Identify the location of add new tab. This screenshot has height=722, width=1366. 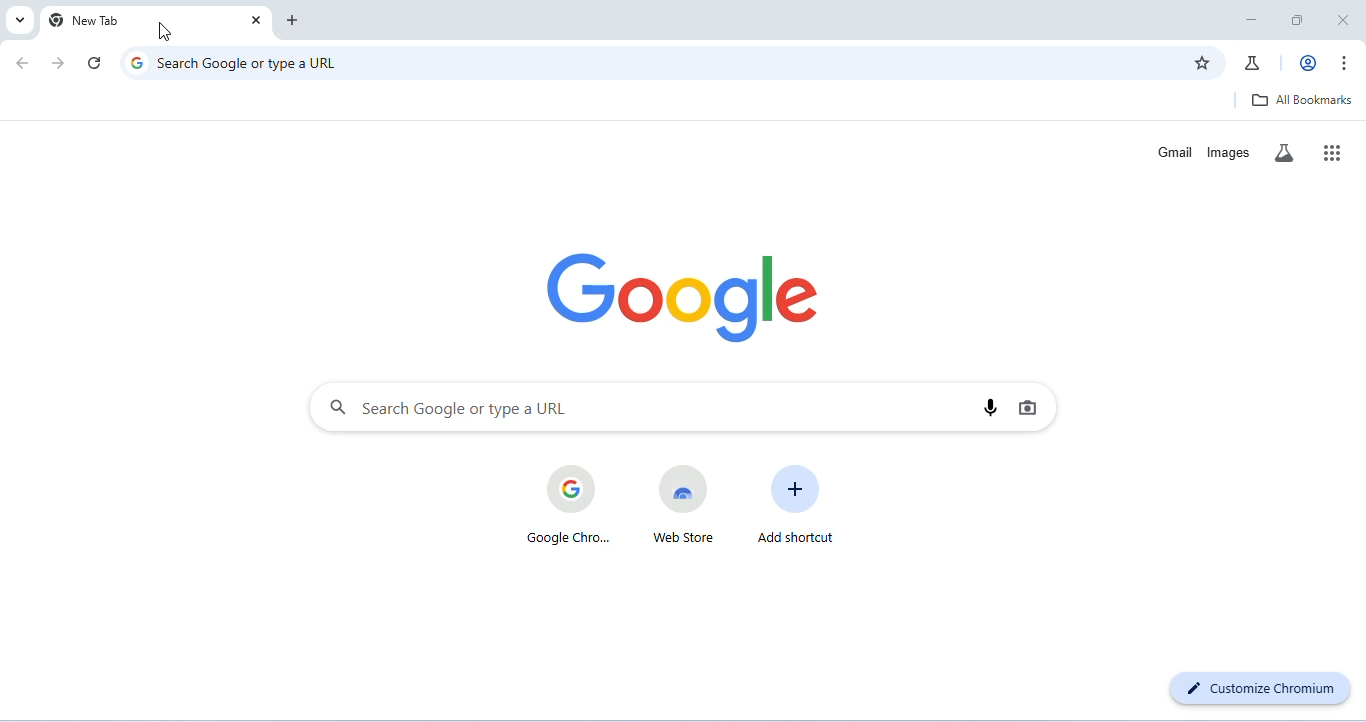
(294, 21).